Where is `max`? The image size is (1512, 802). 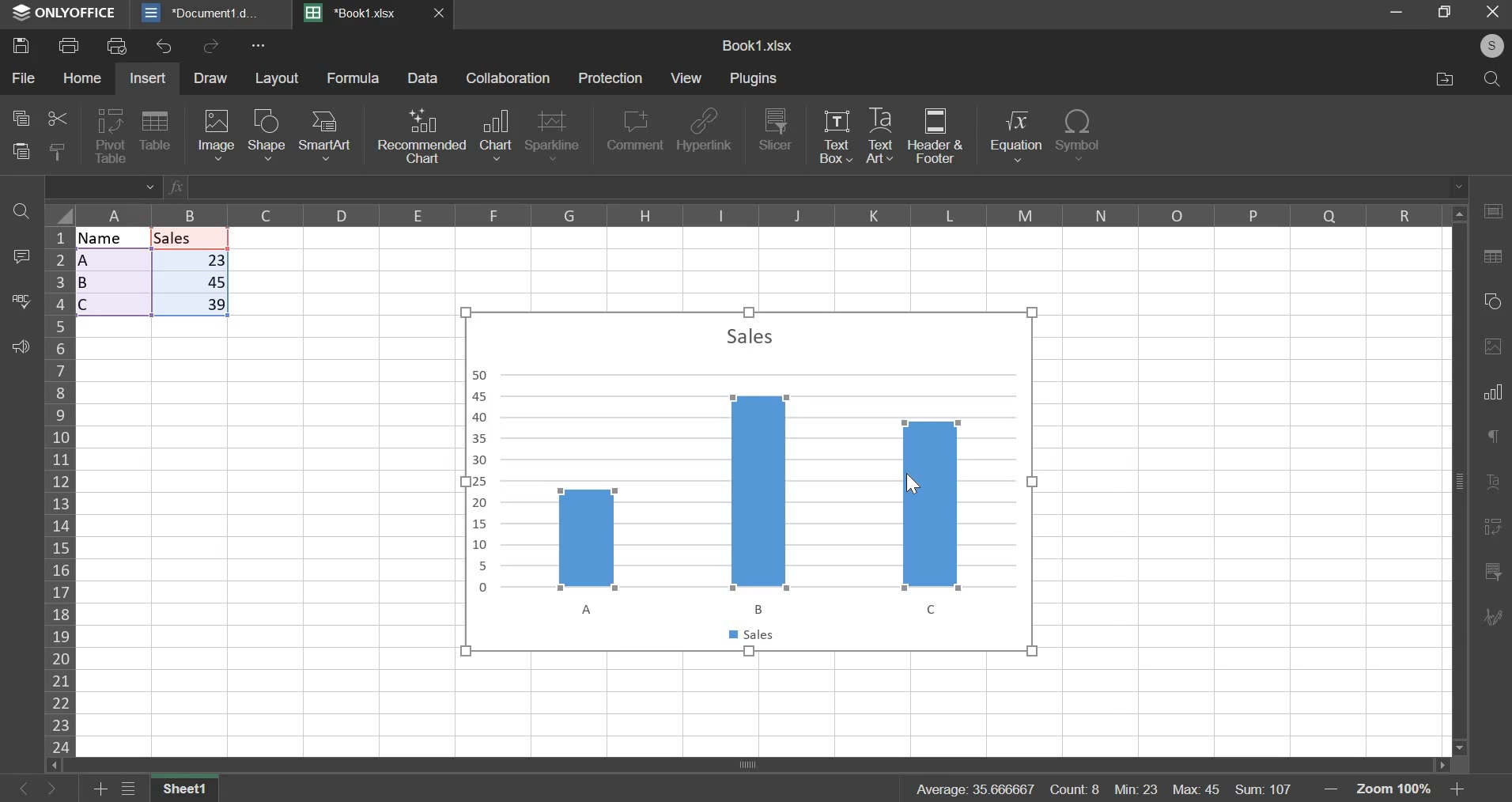 max is located at coordinates (1196, 786).